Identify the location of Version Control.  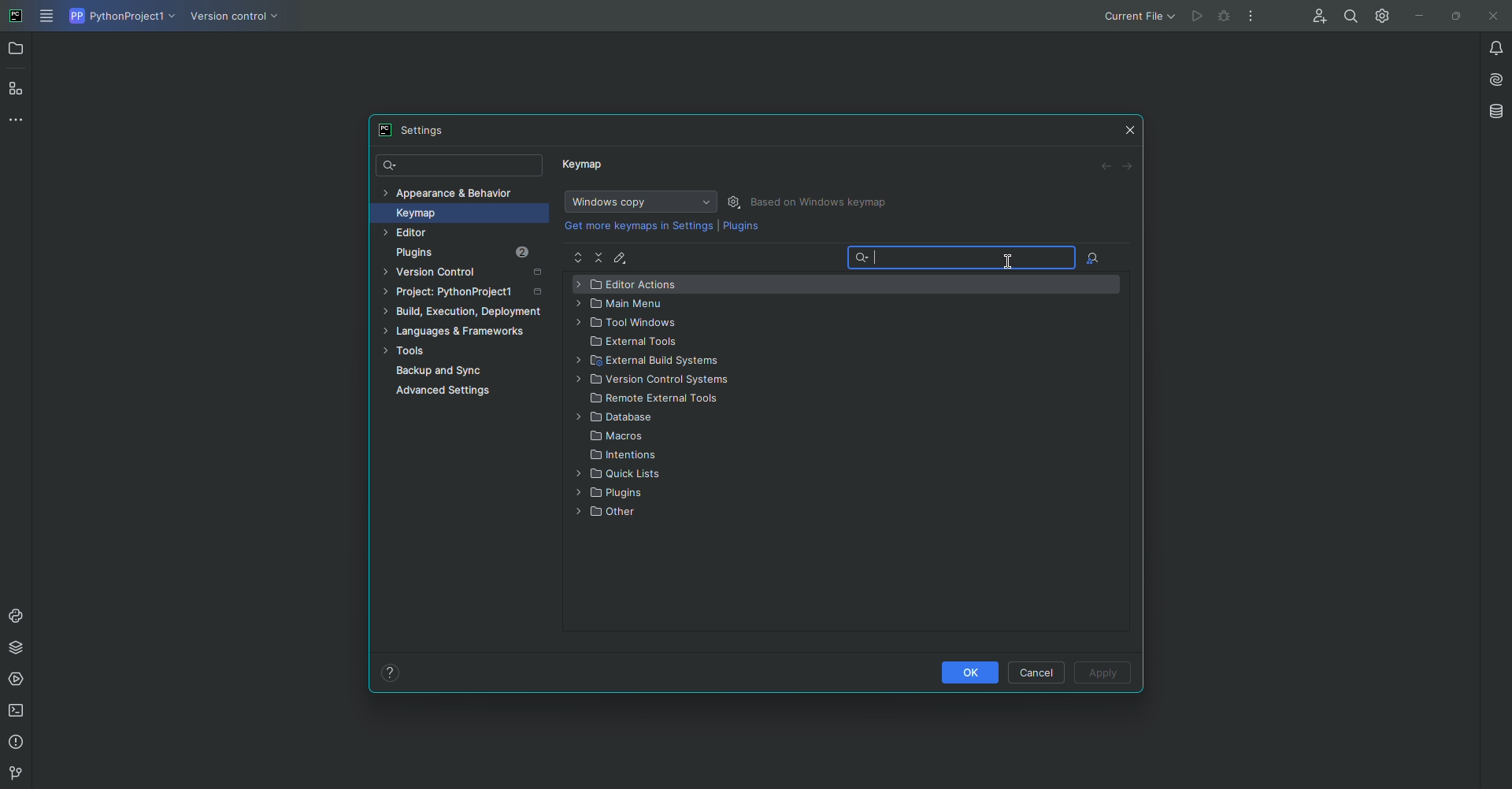
(468, 274).